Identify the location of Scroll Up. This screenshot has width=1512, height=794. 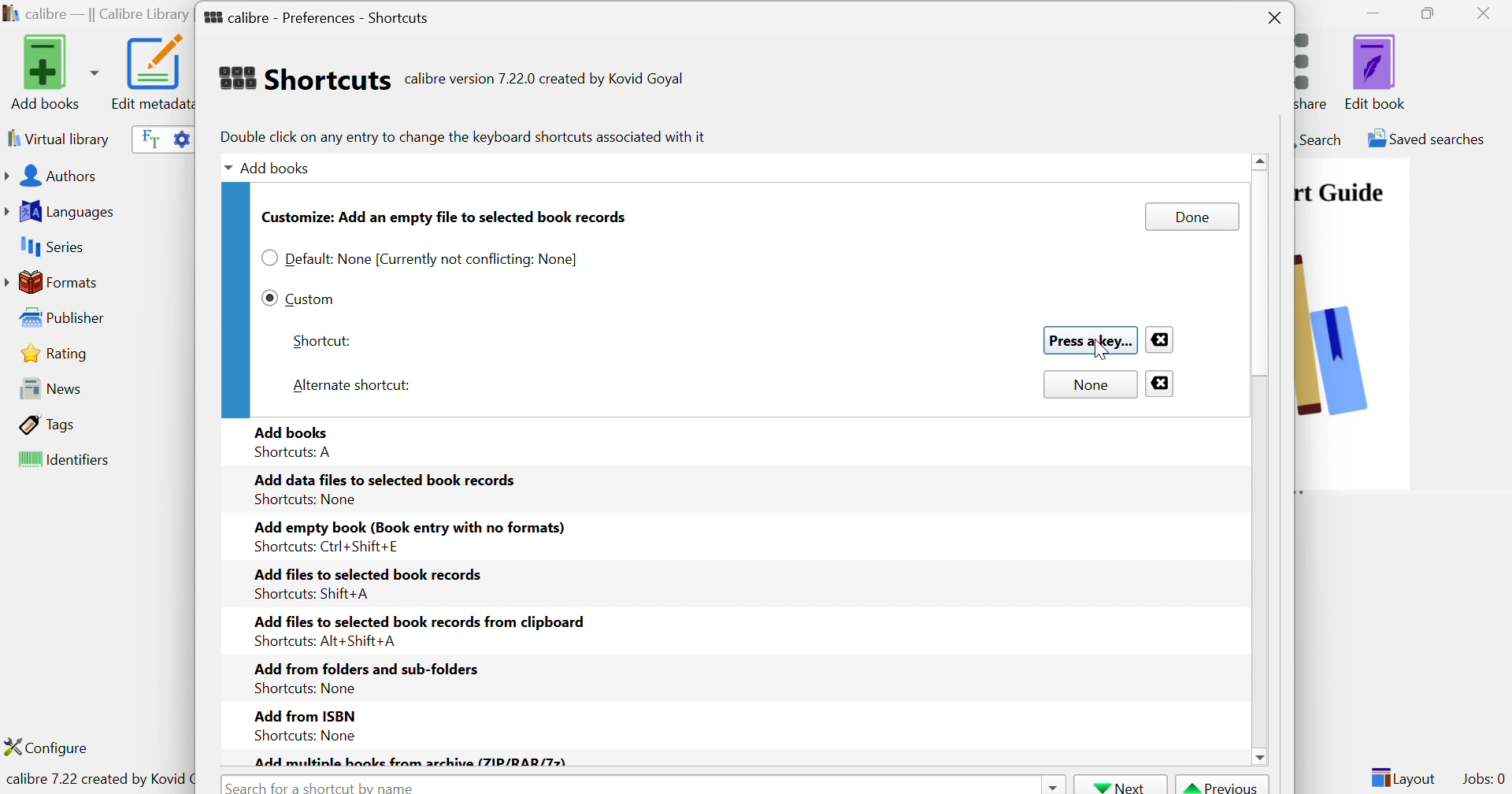
(1262, 160).